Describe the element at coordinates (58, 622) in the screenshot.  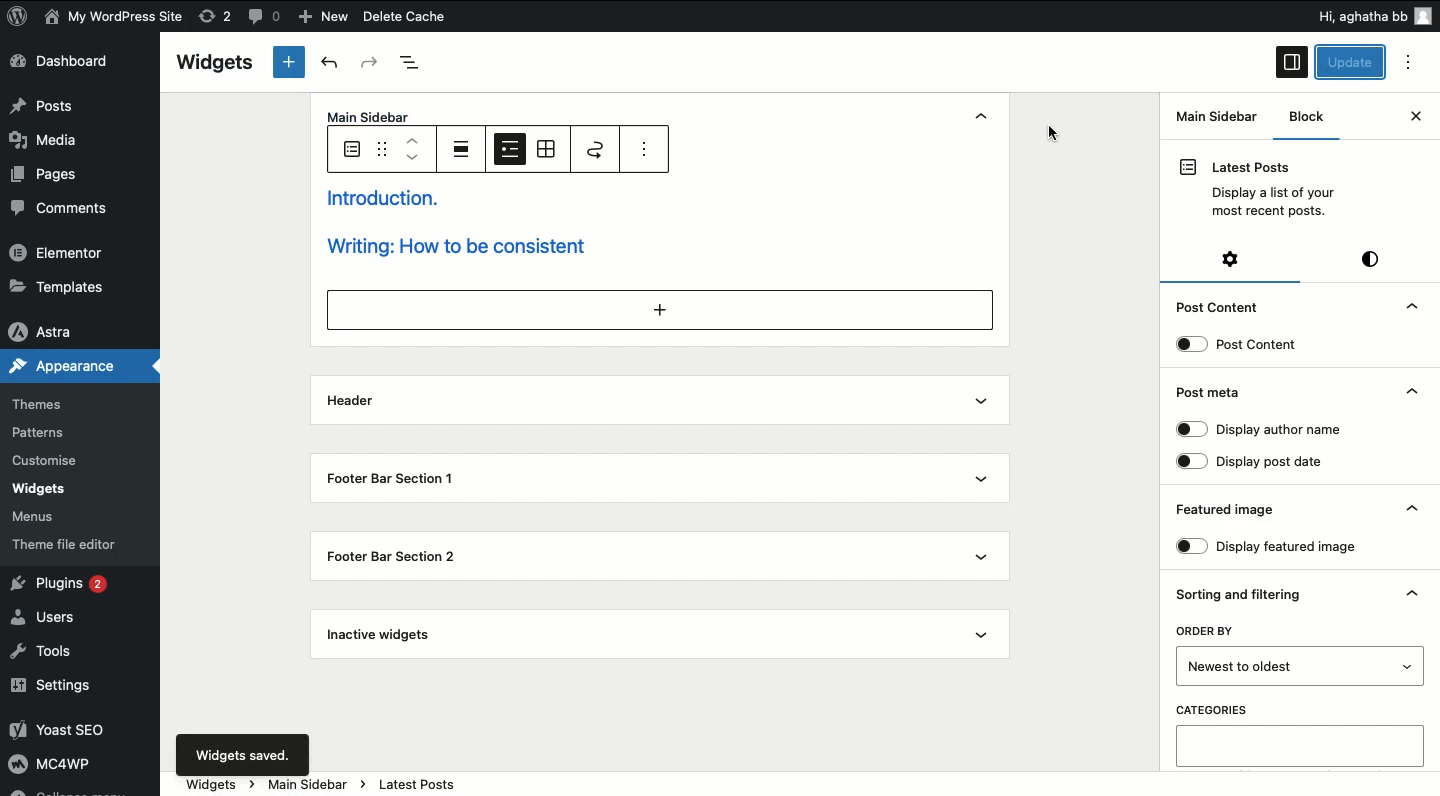
I see `Users` at that location.